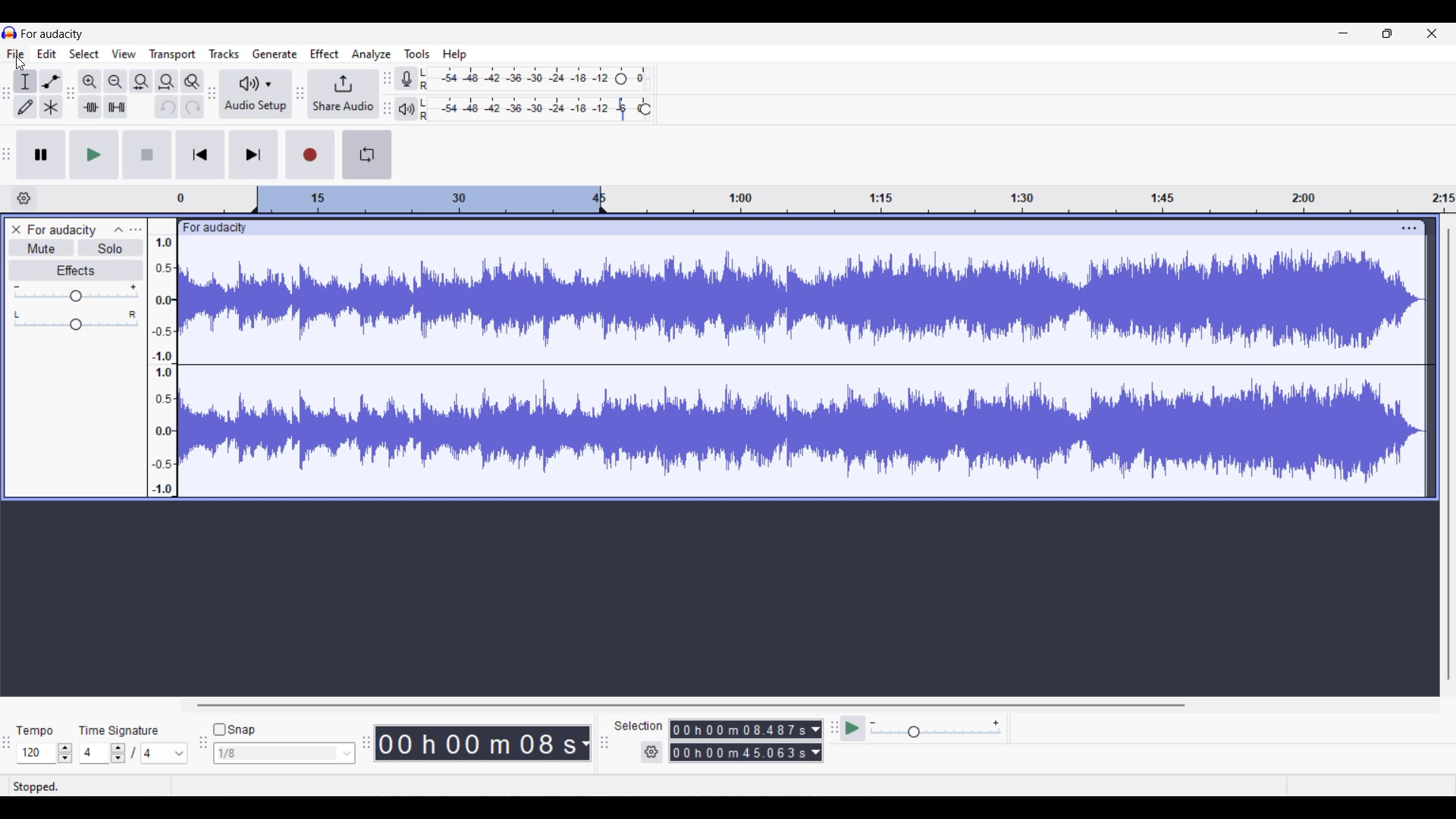  Describe the element at coordinates (372, 55) in the screenshot. I see `Analyze menu` at that location.